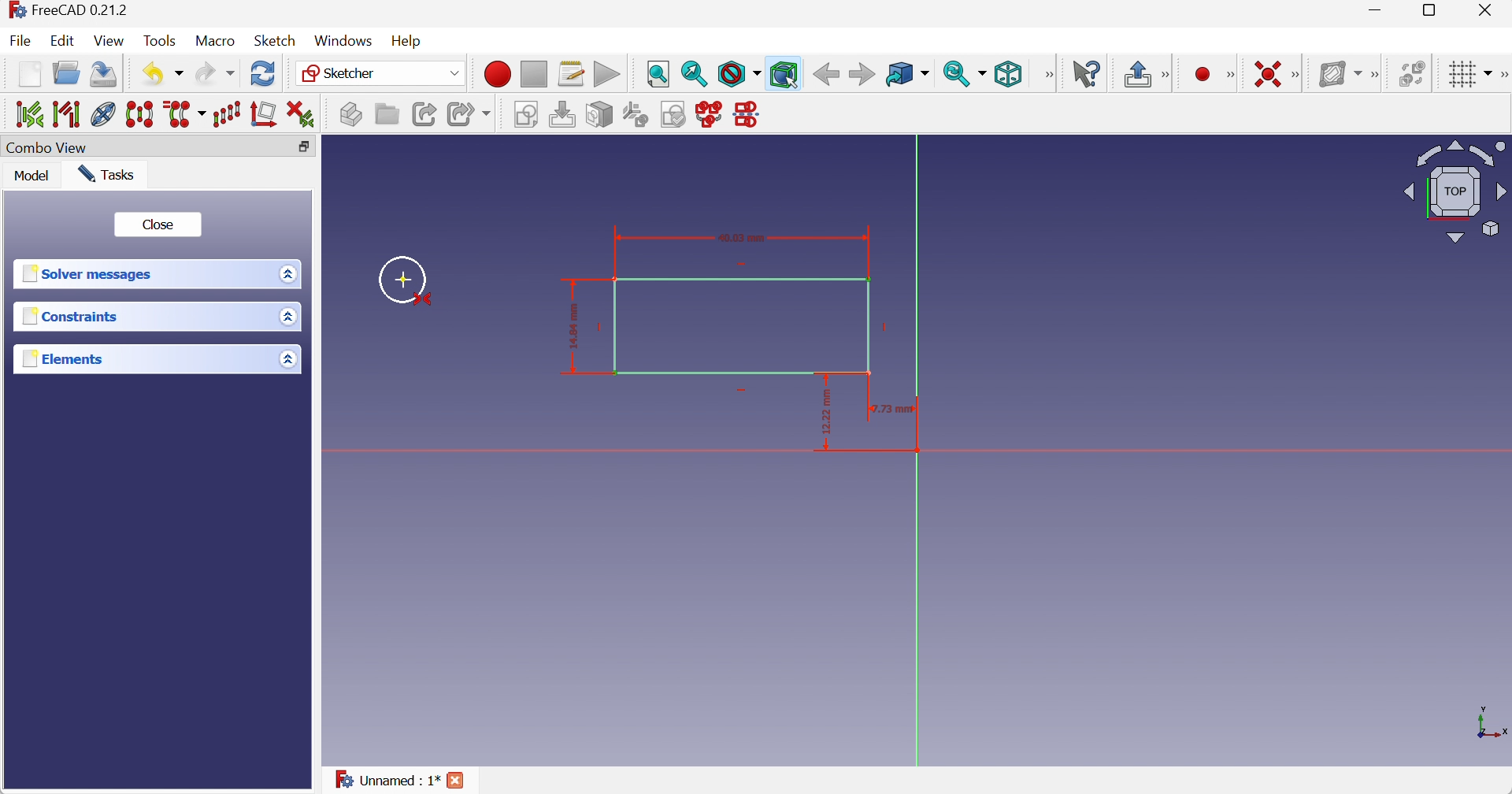  I want to click on constrain symmetrical, so click(424, 300).